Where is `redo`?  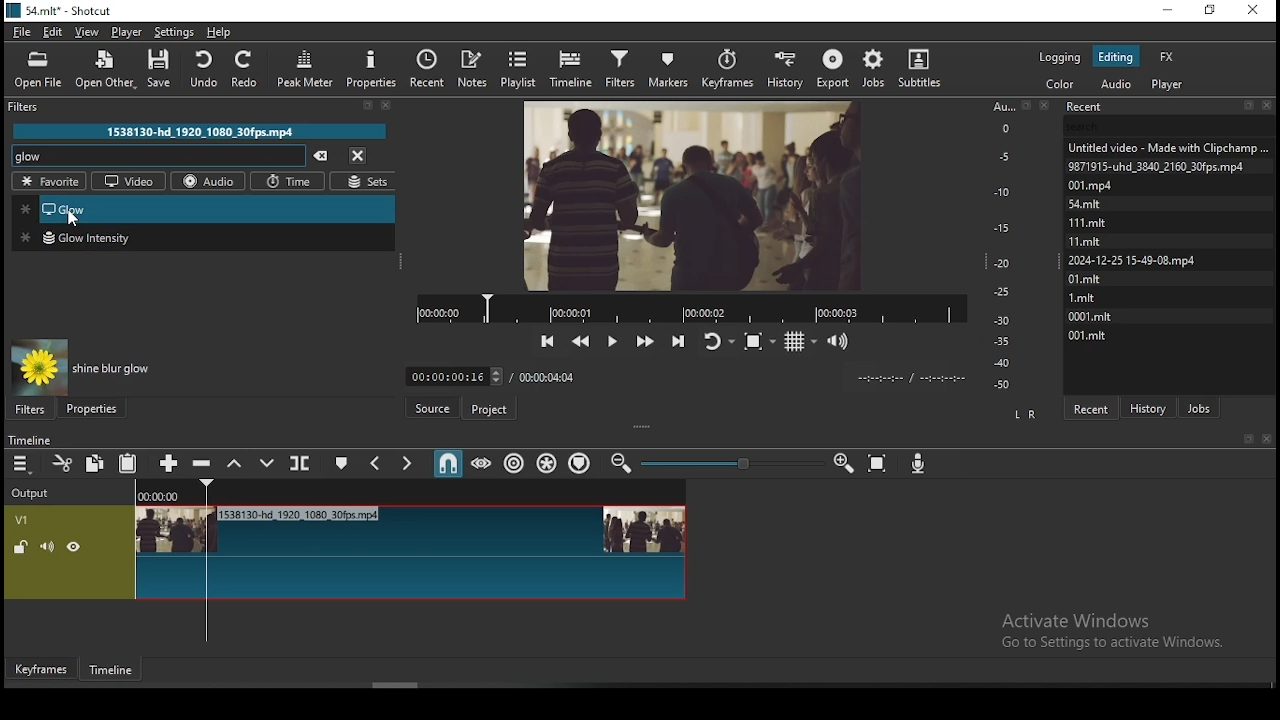
redo is located at coordinates (246, 68).